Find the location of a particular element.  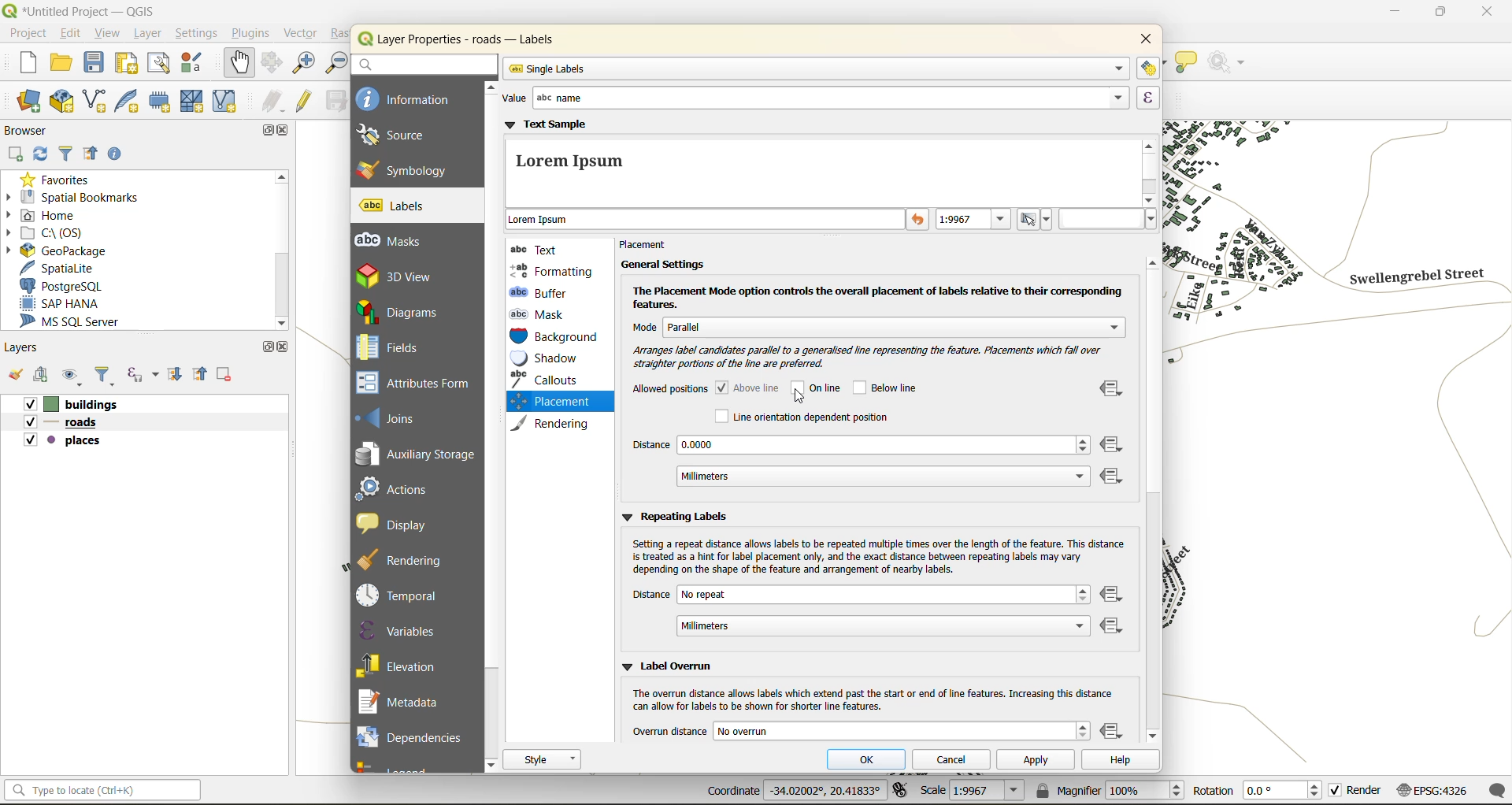

new geopackage layer is located at coordinates (66, 105).